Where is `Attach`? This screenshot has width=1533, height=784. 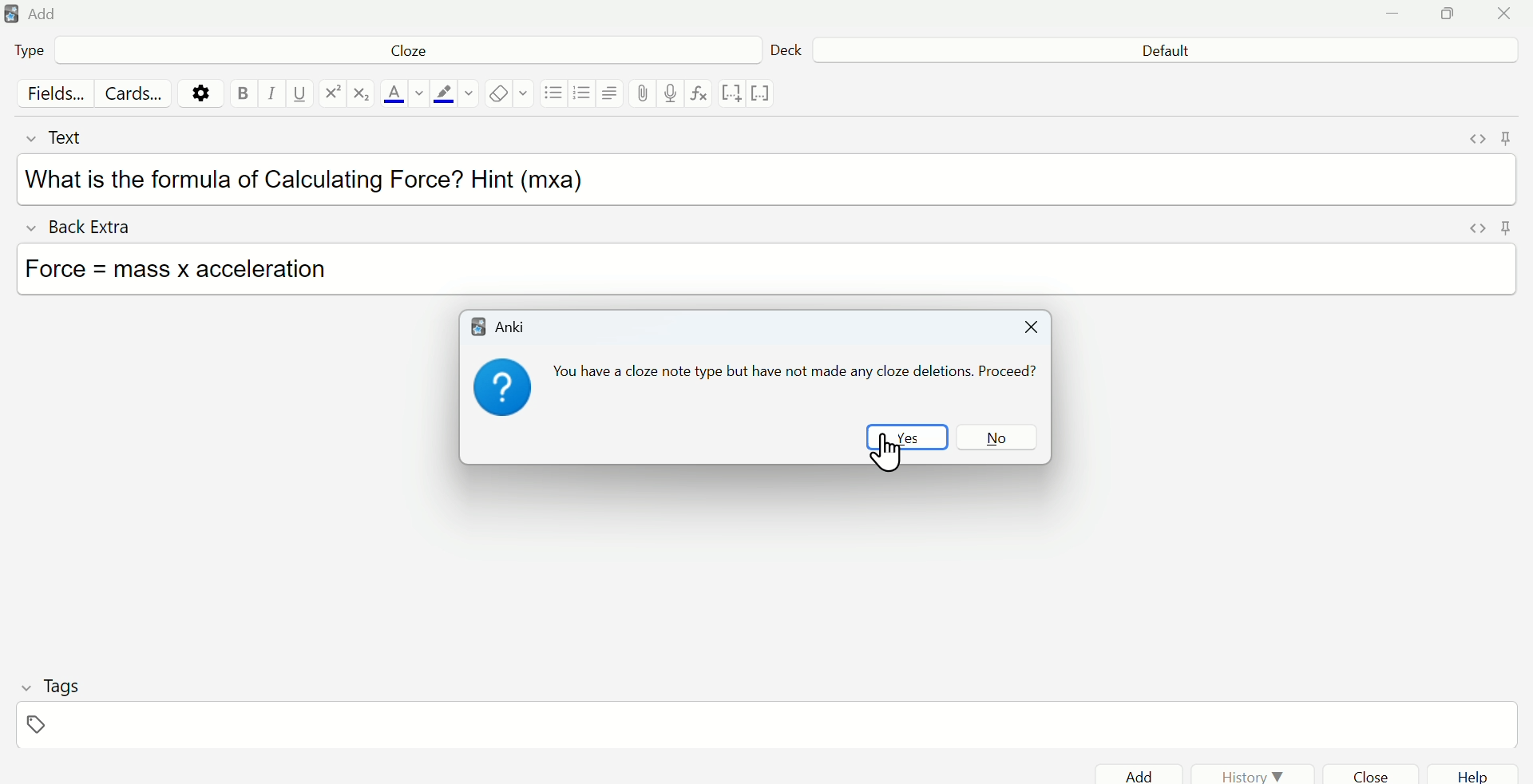
Attach is located at coordinates (644, 93).